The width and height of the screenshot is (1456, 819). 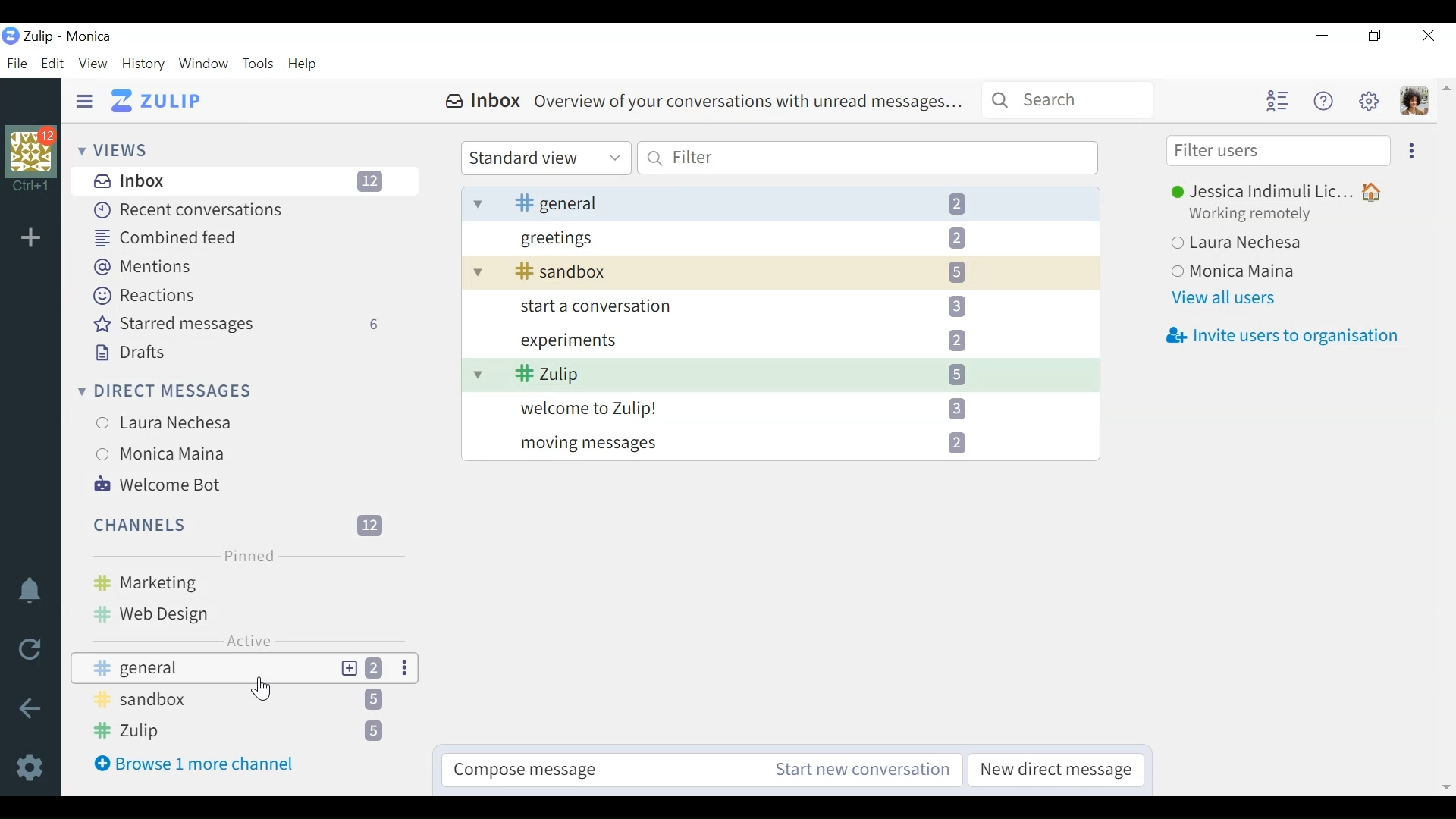 What do you see at coordinates (1367, 100) in the screenshot?
I see `Main menu` at bounding box center [1367, 100].